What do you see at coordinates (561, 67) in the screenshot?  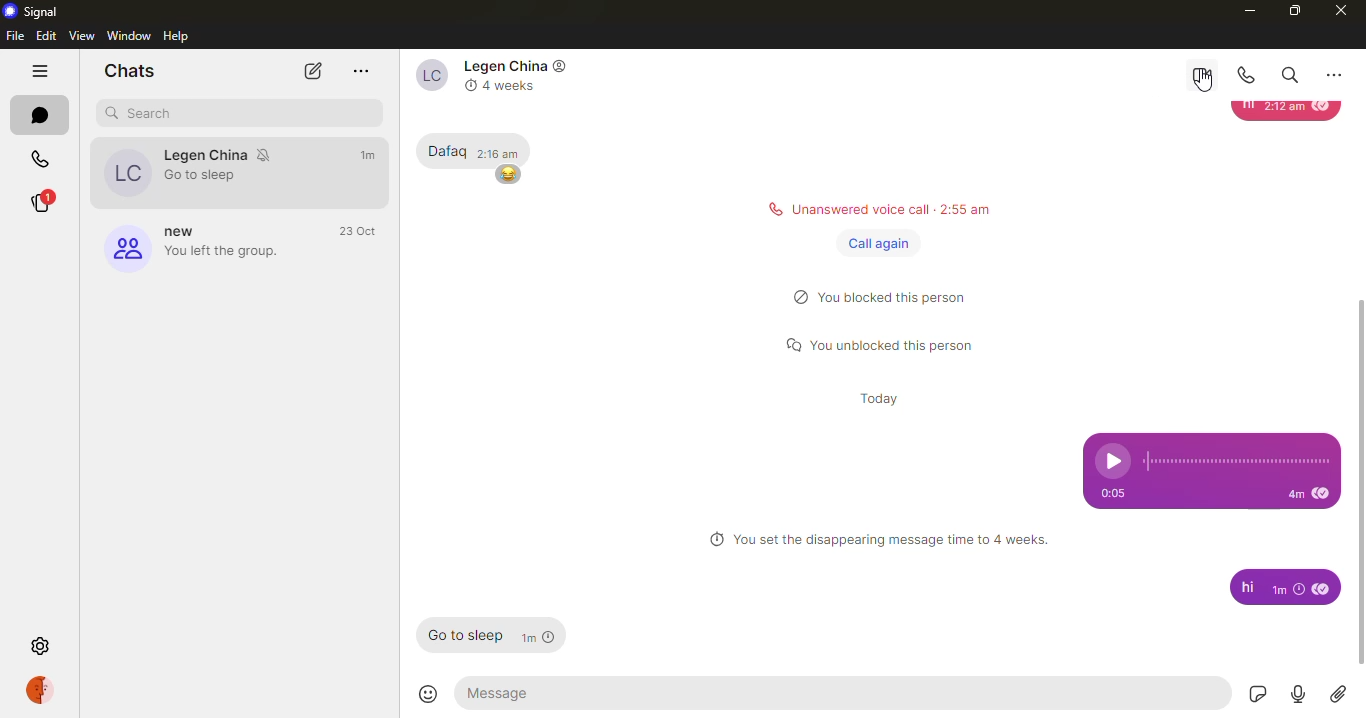 I see `contact logo` at bounding box center [561, 67].